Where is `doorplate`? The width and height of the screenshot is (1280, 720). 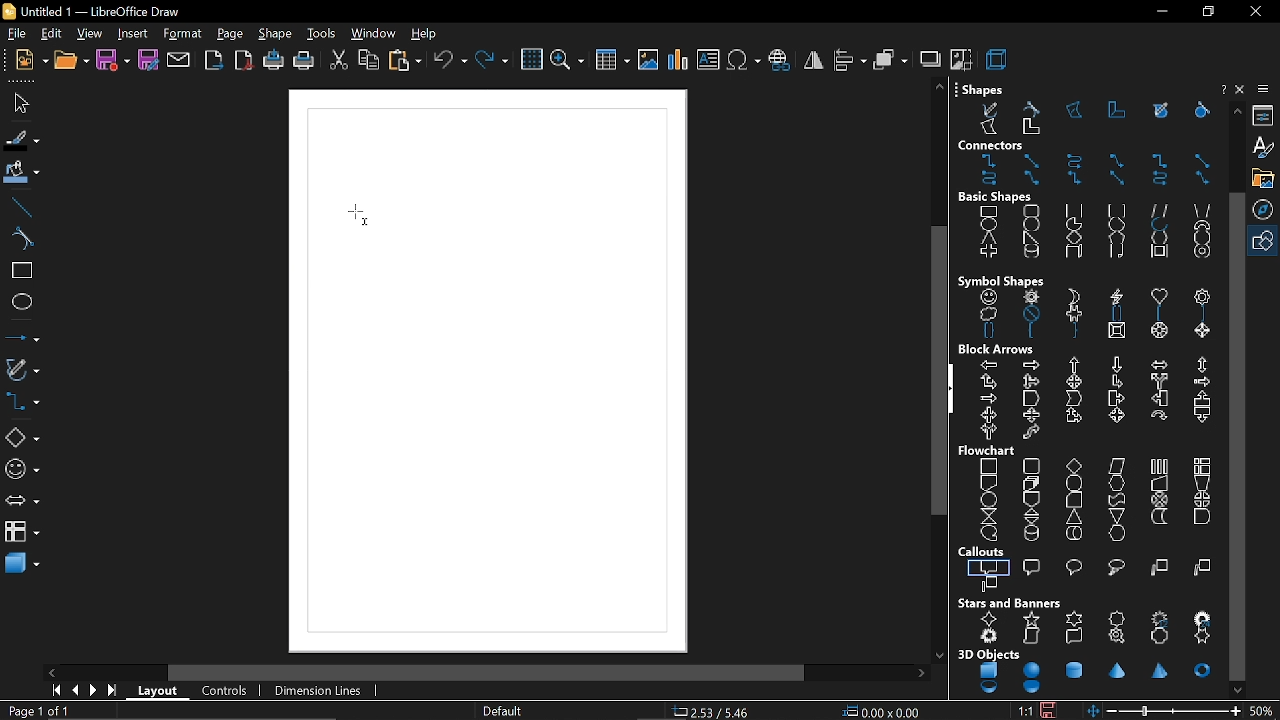
doorplate is located at coordinates (1162, 637).